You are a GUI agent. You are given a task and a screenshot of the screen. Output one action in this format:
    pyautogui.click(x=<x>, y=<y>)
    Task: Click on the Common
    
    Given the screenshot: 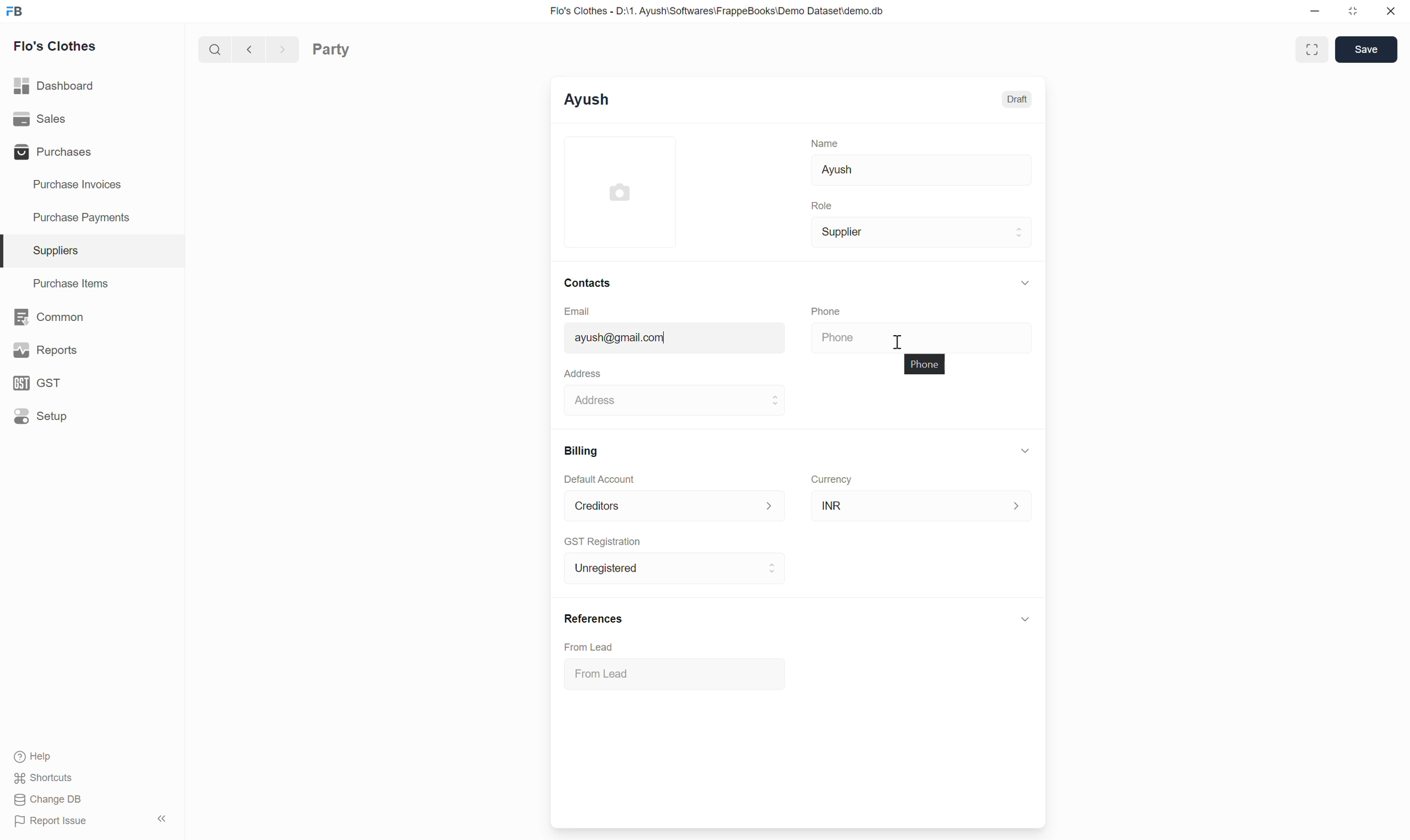 What is the action you would take?
    pyautogui.click(x=91, y=317)
    